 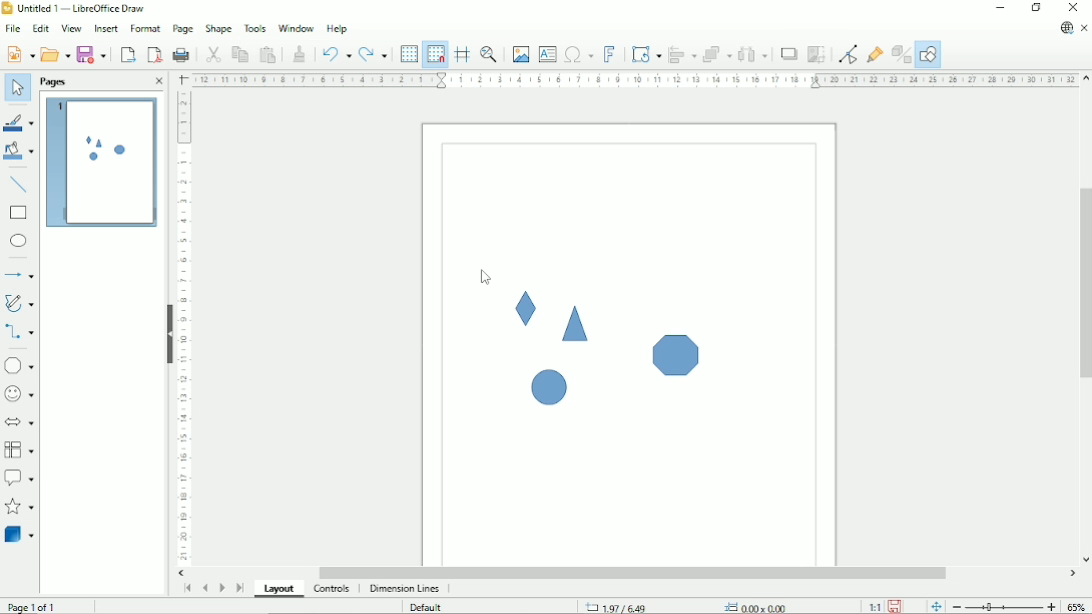 What do you see at coordinates (1085, 559) in the screenshot?
I see `Vertical scroll button` at bounding box center [1085, 559].